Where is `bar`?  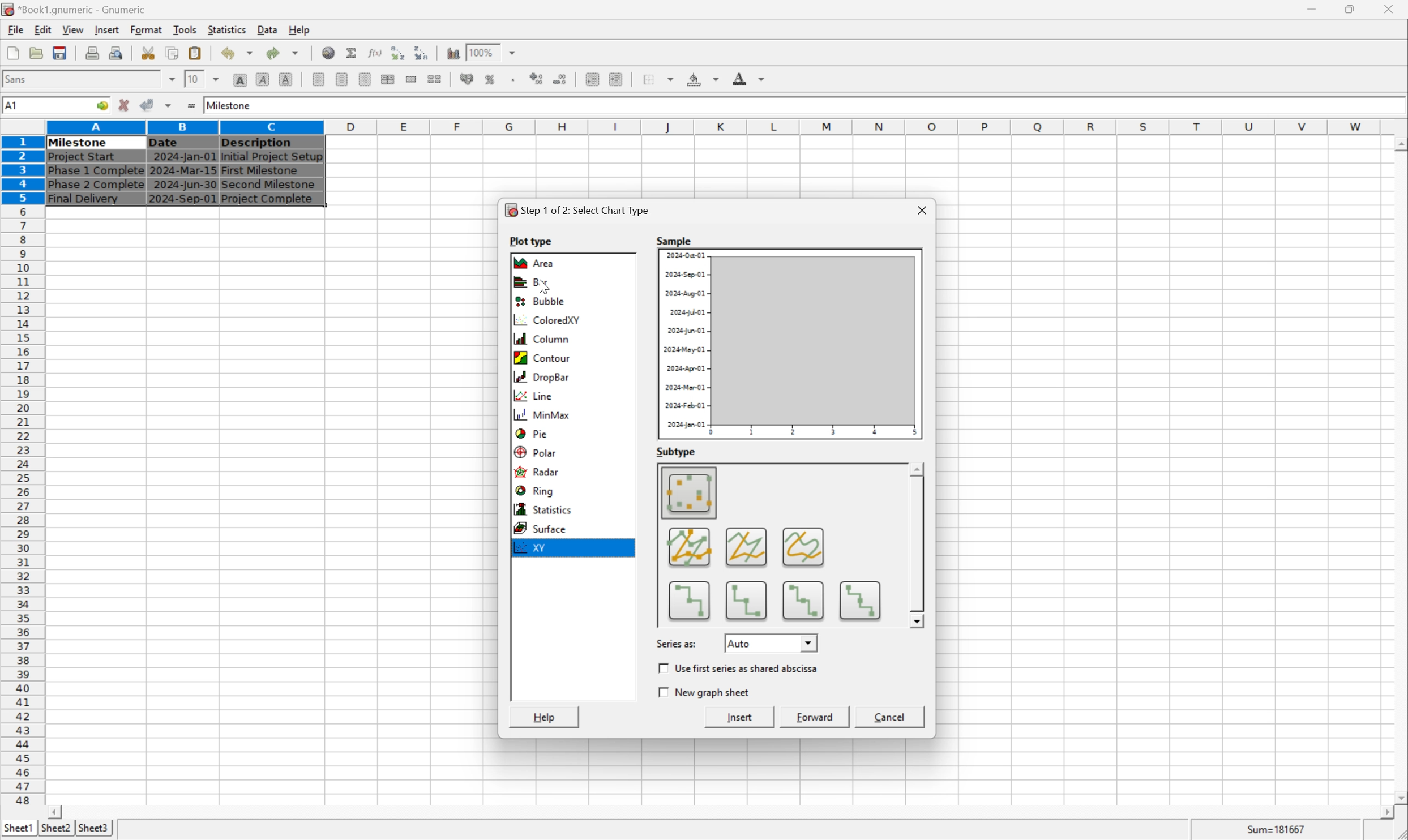
bar is located at coordinates (530, 284).